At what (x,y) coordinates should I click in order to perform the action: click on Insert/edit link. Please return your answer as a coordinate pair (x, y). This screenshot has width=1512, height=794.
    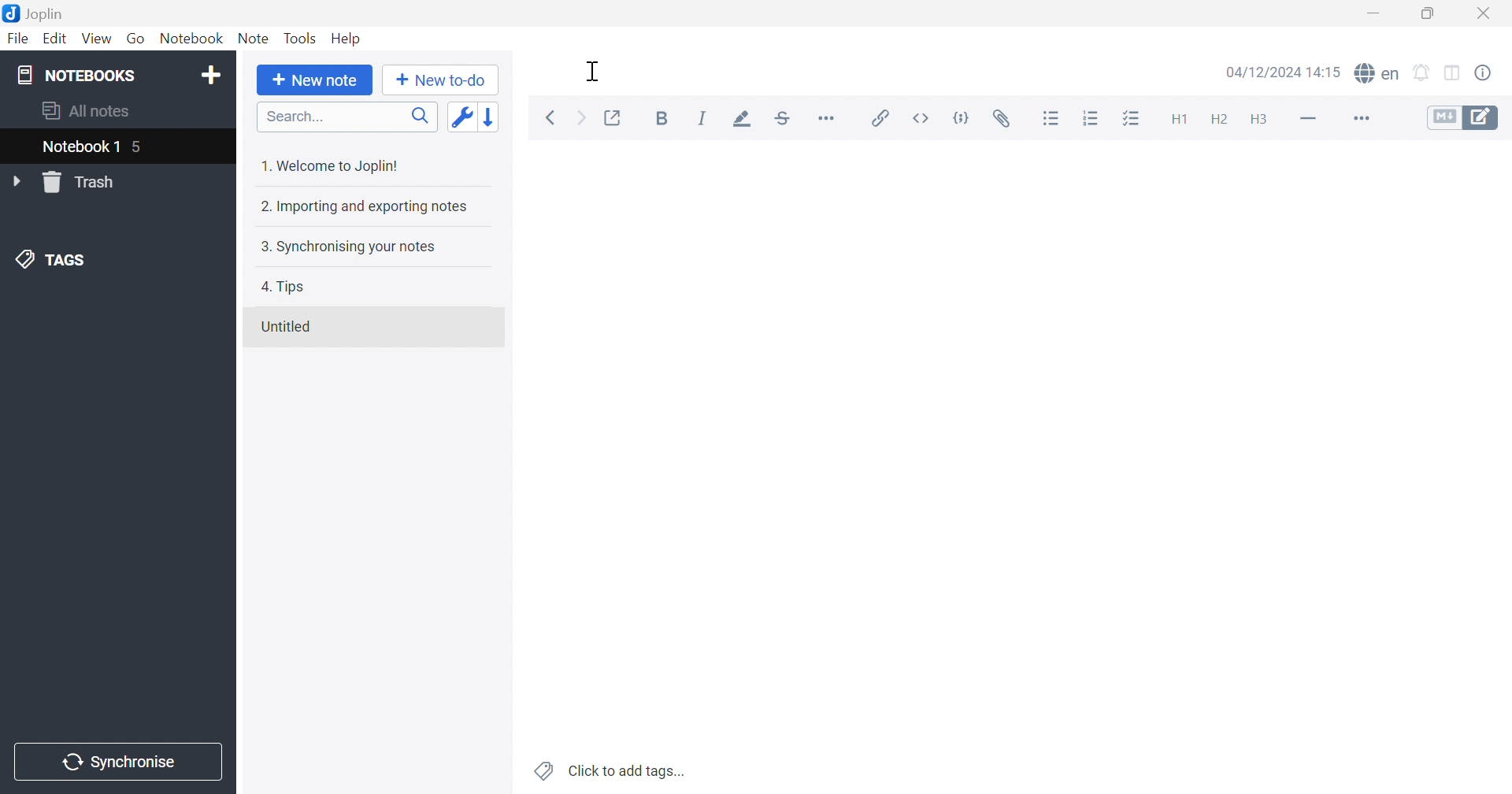
    Looking at the image, I should click on (878, 118).